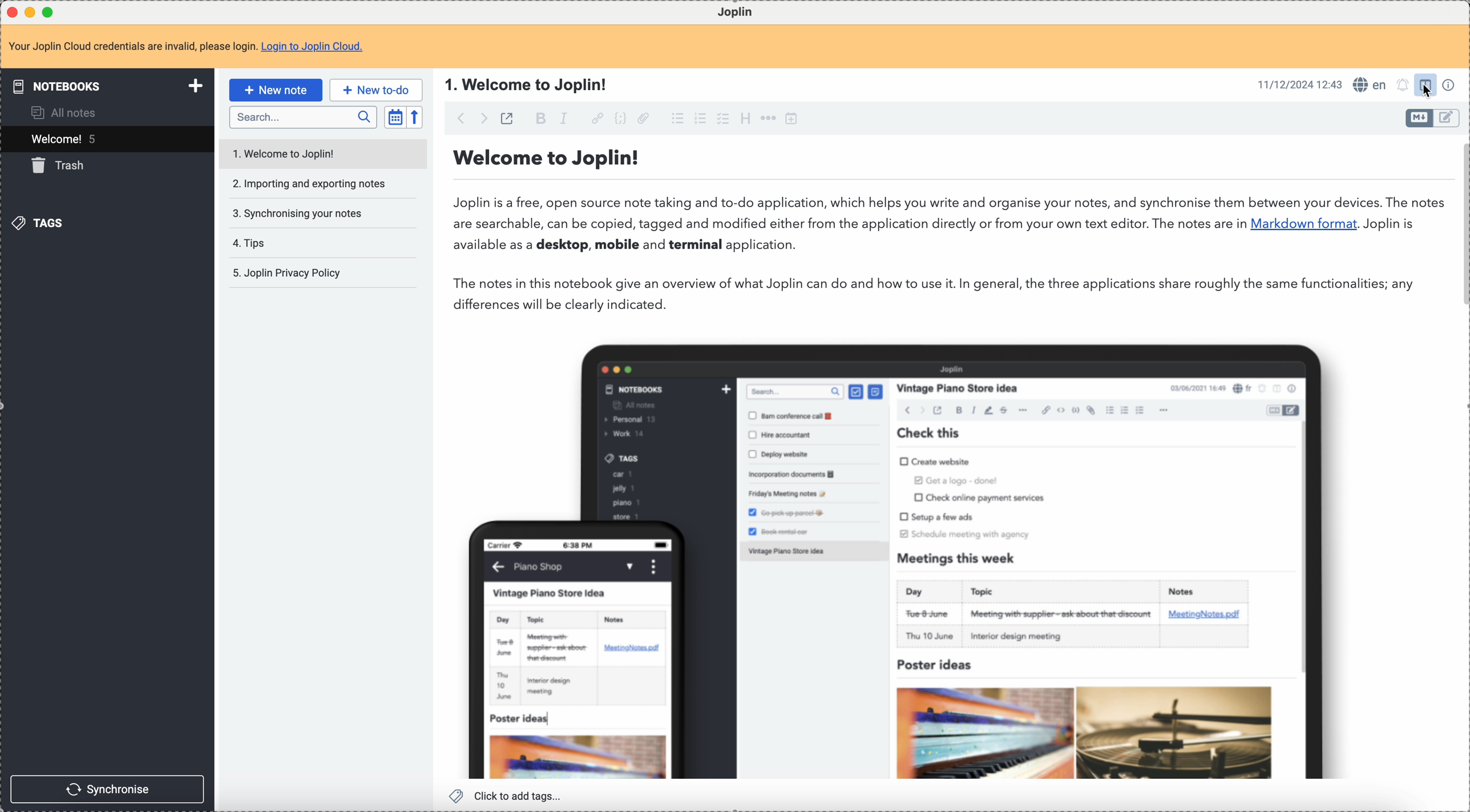 The image size is (1470, 812). I want to click on tags, so click(42, 225).